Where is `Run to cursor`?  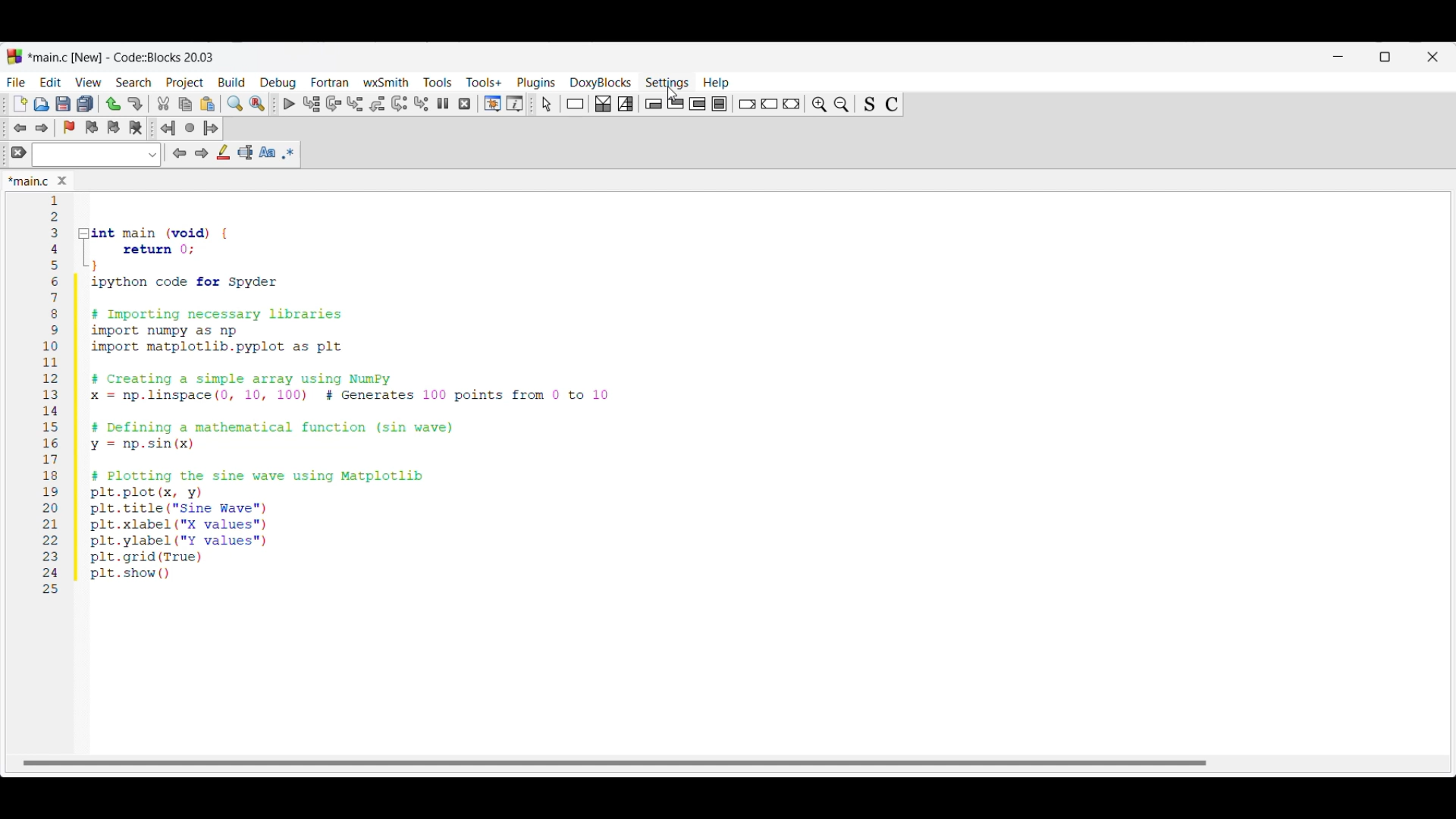 Run to cursor is located at coordinates (312, 103).